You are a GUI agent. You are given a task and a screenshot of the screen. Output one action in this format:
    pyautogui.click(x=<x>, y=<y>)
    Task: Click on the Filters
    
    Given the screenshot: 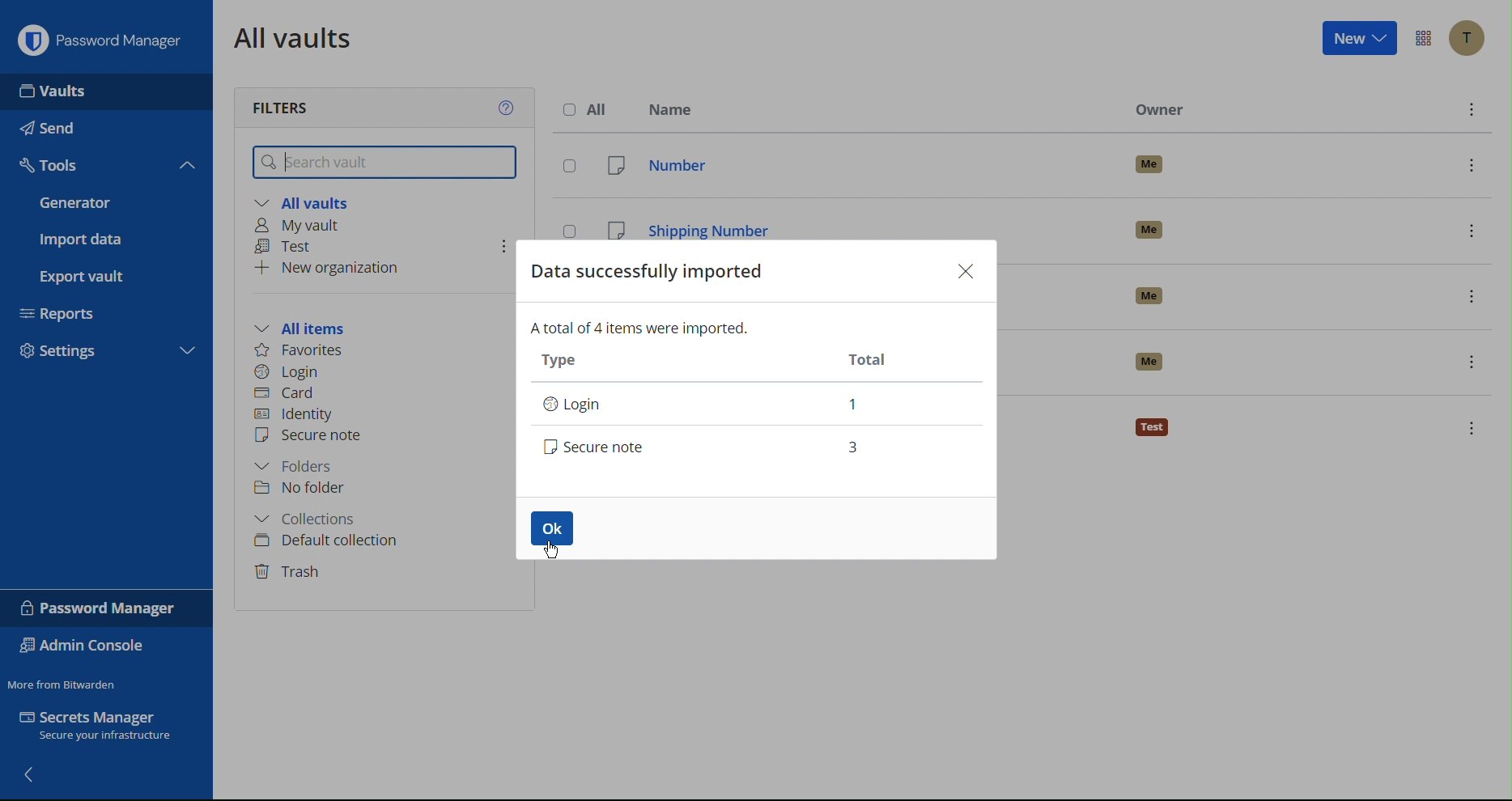 What is the action you would take?
    pyautogui.click(x=279, y=103)
    